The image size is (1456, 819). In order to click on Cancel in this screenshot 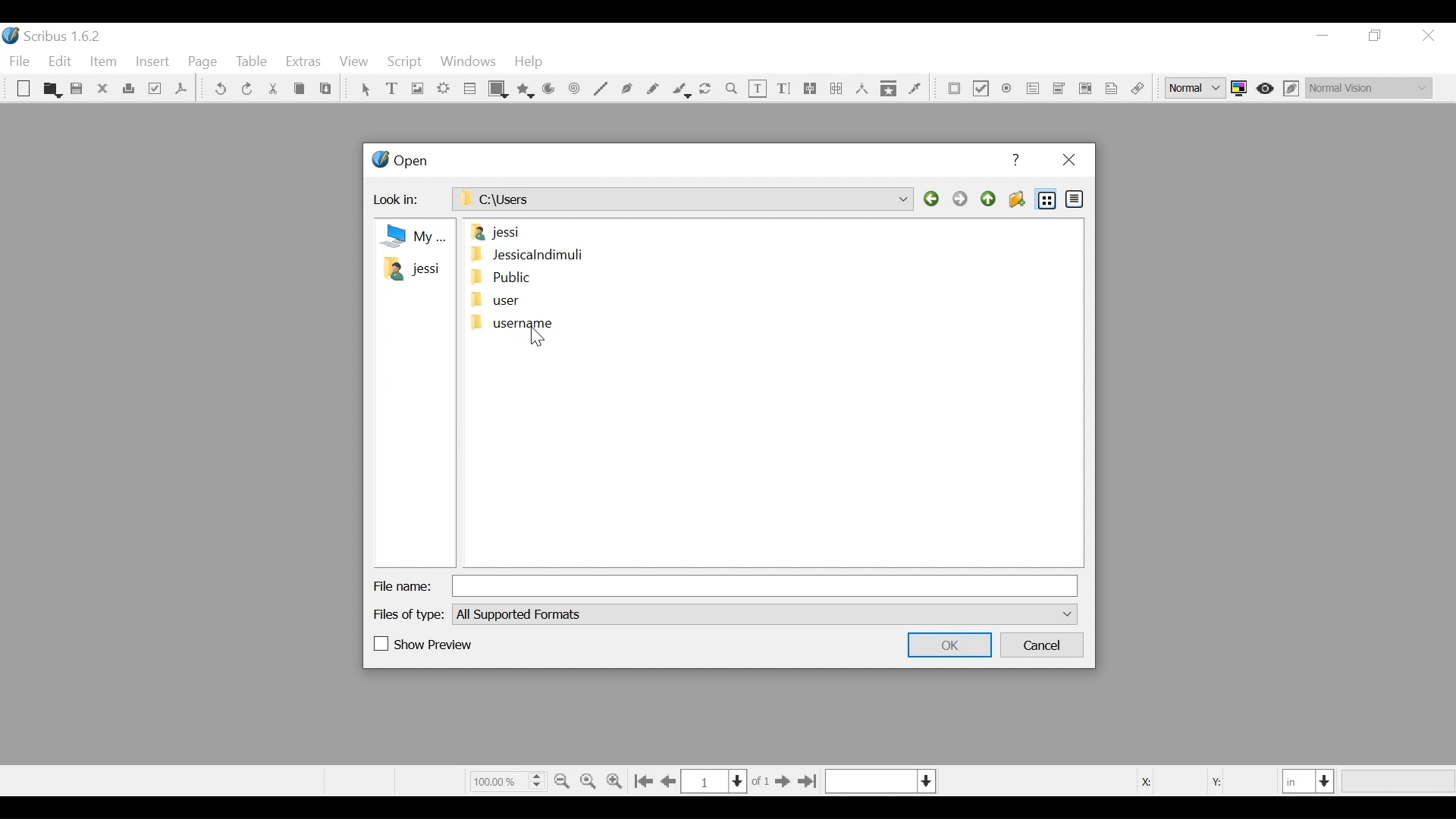, I will do `click(1043, 646)`.